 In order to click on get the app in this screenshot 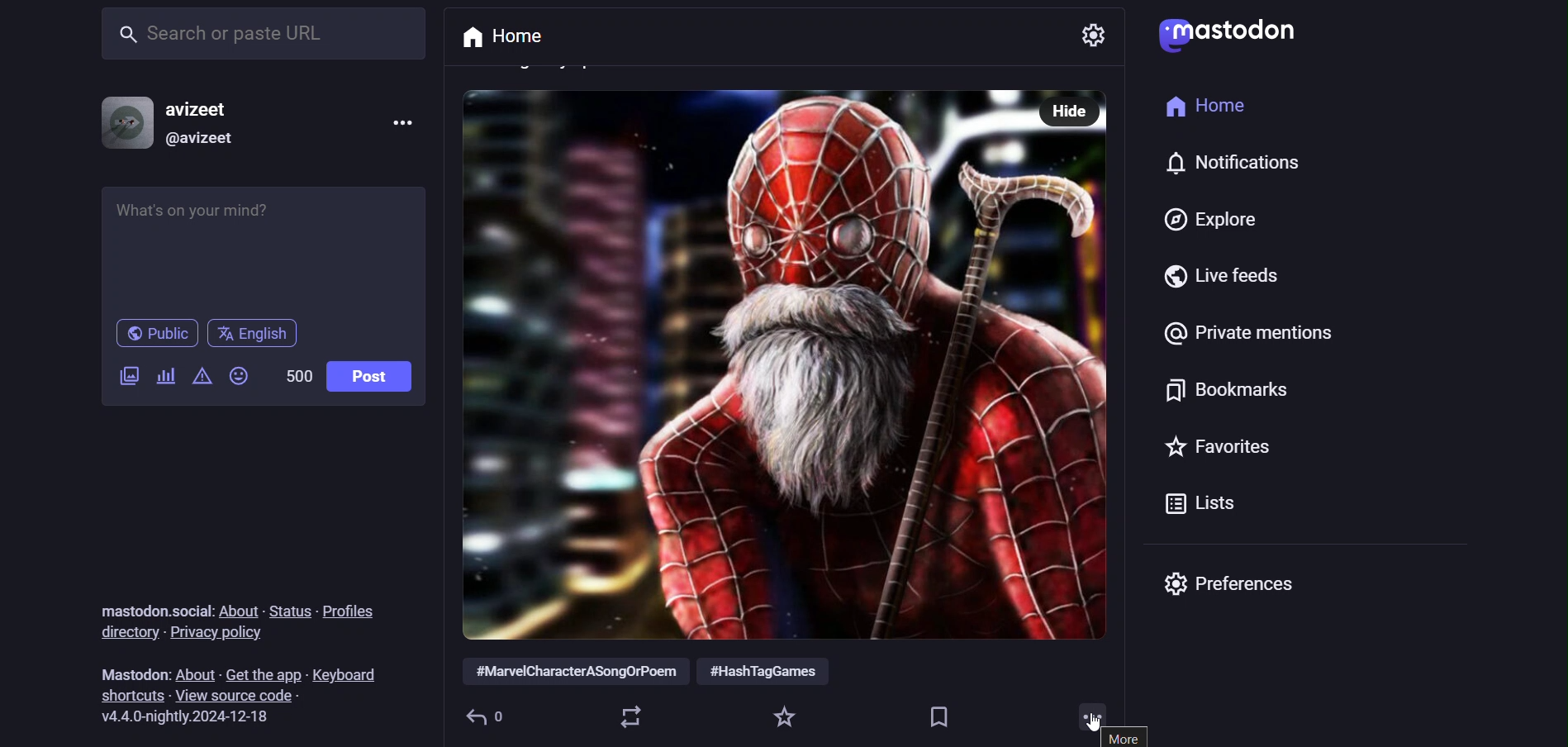, I will do `click(264, 671)`.